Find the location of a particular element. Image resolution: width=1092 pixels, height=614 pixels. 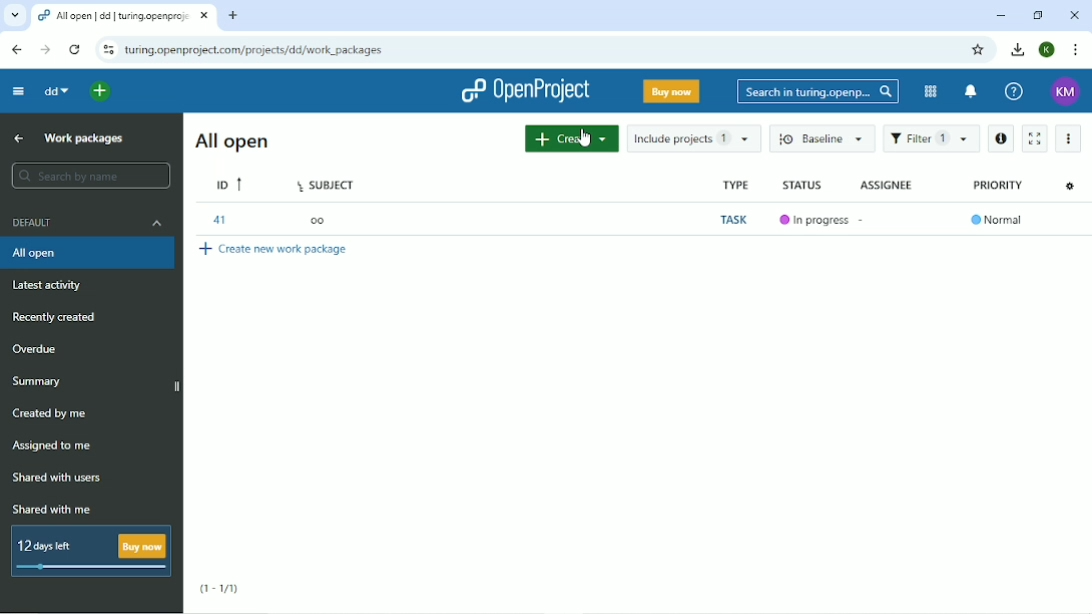

All open is located at coordinates (230, 141).